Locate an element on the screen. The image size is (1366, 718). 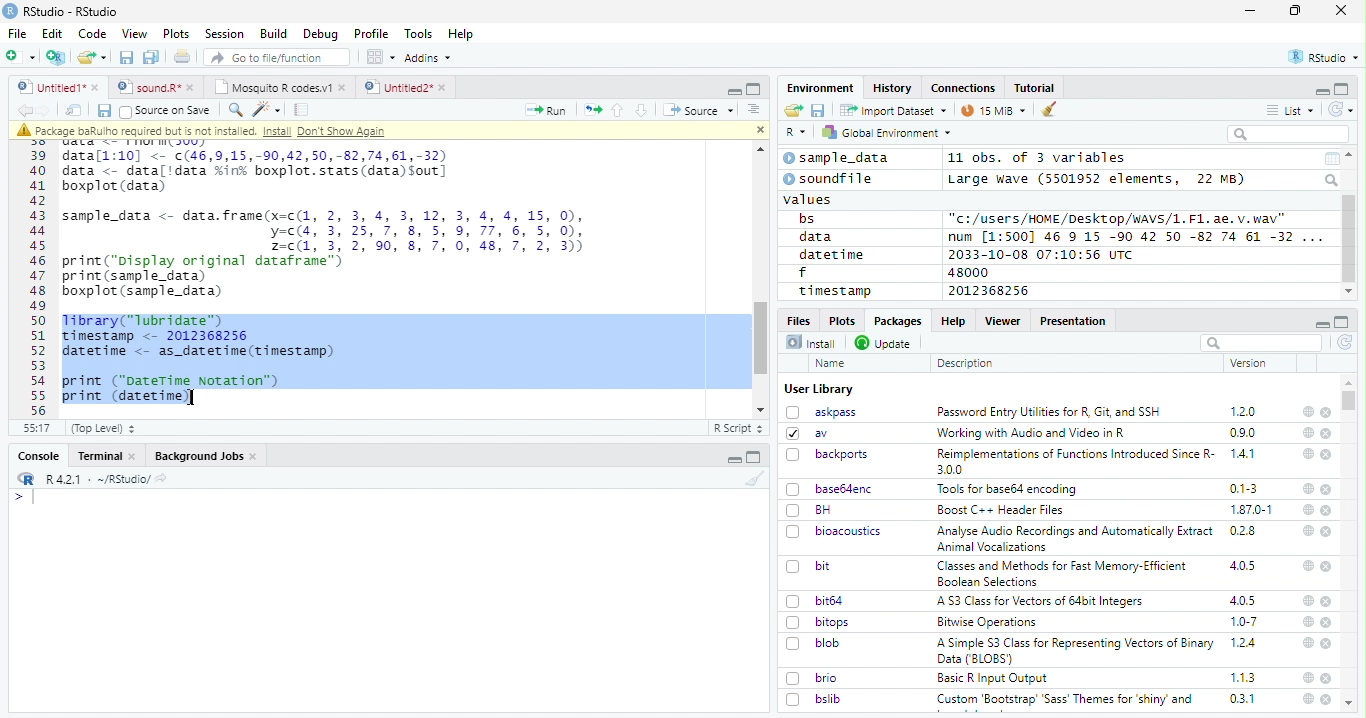
close is located at coordinates (1327, 623).